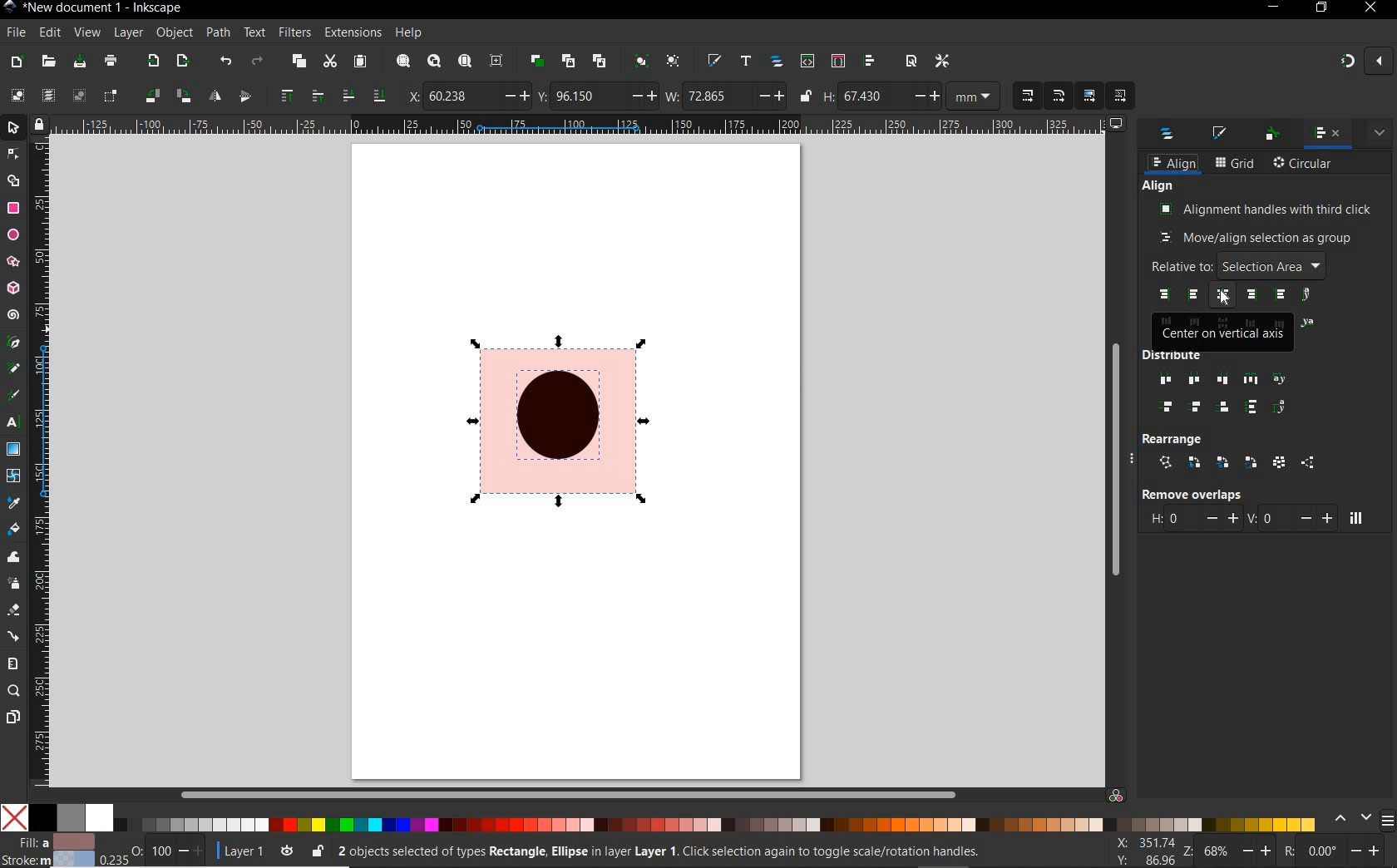 The width and height of the screenshot is (1397, 868). Describe the element at coordinates (1355, 518) in the screenshot. I see `MOVE OBJECTS AS LITTLE AS POSSIBLE SO THAT THEIR BOUNDING BOXES DO NOT OVERLAP` at that location.